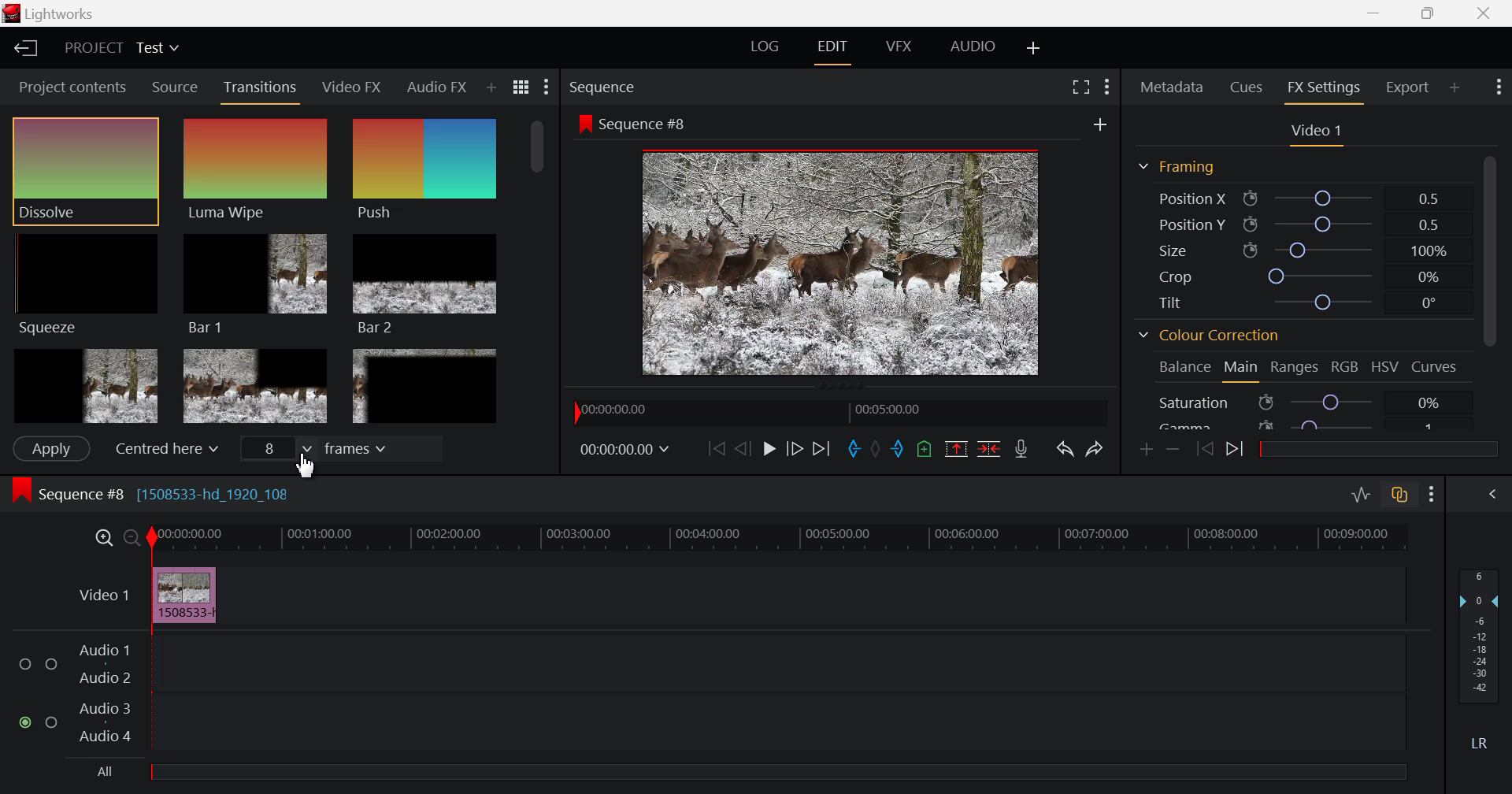 The width and height of the screenshot is (1512, 794). I want to click on Sequence Preview Section, so click(602, 84).